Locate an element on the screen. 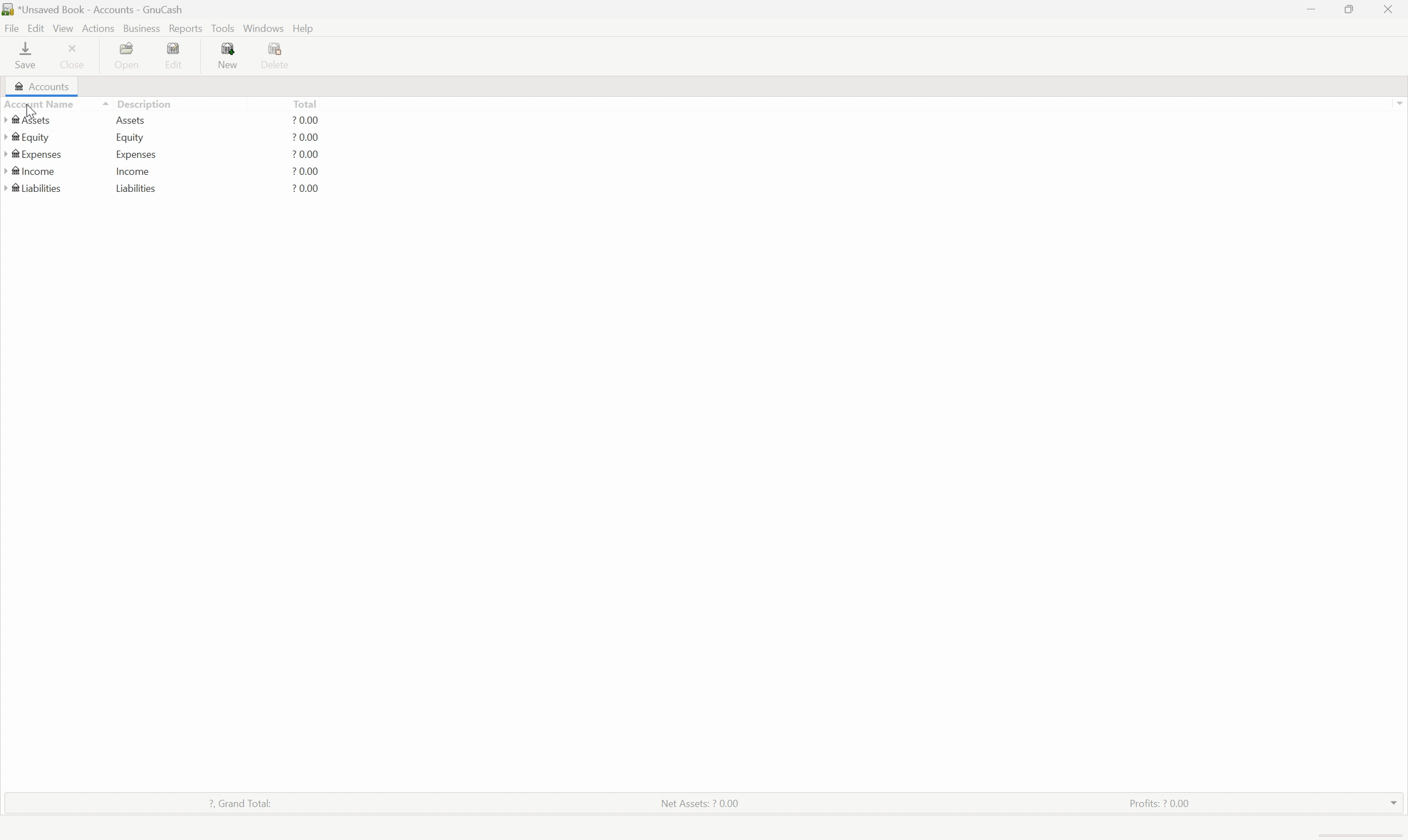 Image resolution: width=1408 pixels, height=840 pixels. Restore down is located at coordinates (1353, 8).